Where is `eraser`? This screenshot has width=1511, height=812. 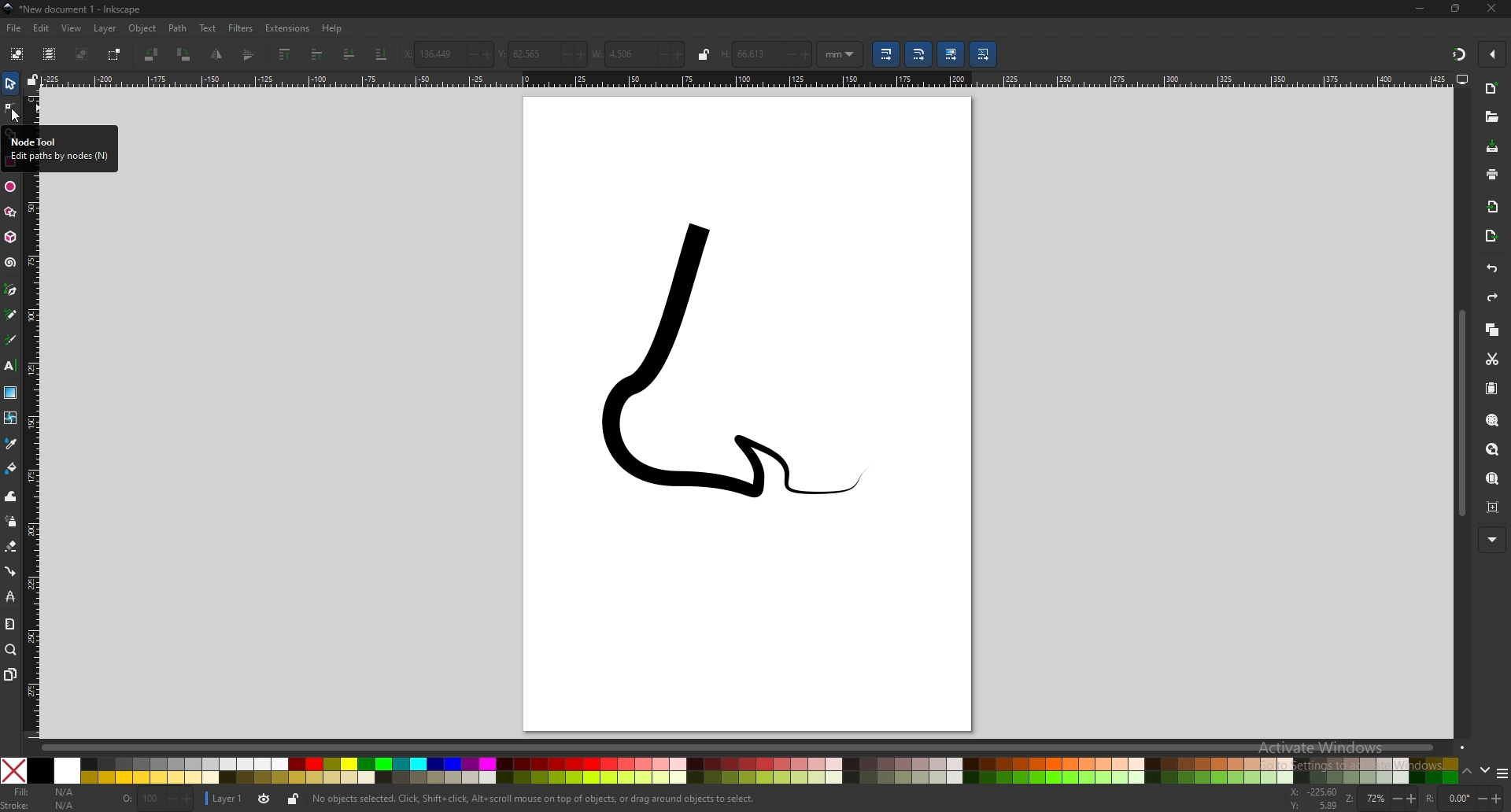 eraser is located at coordinates (12, 545).